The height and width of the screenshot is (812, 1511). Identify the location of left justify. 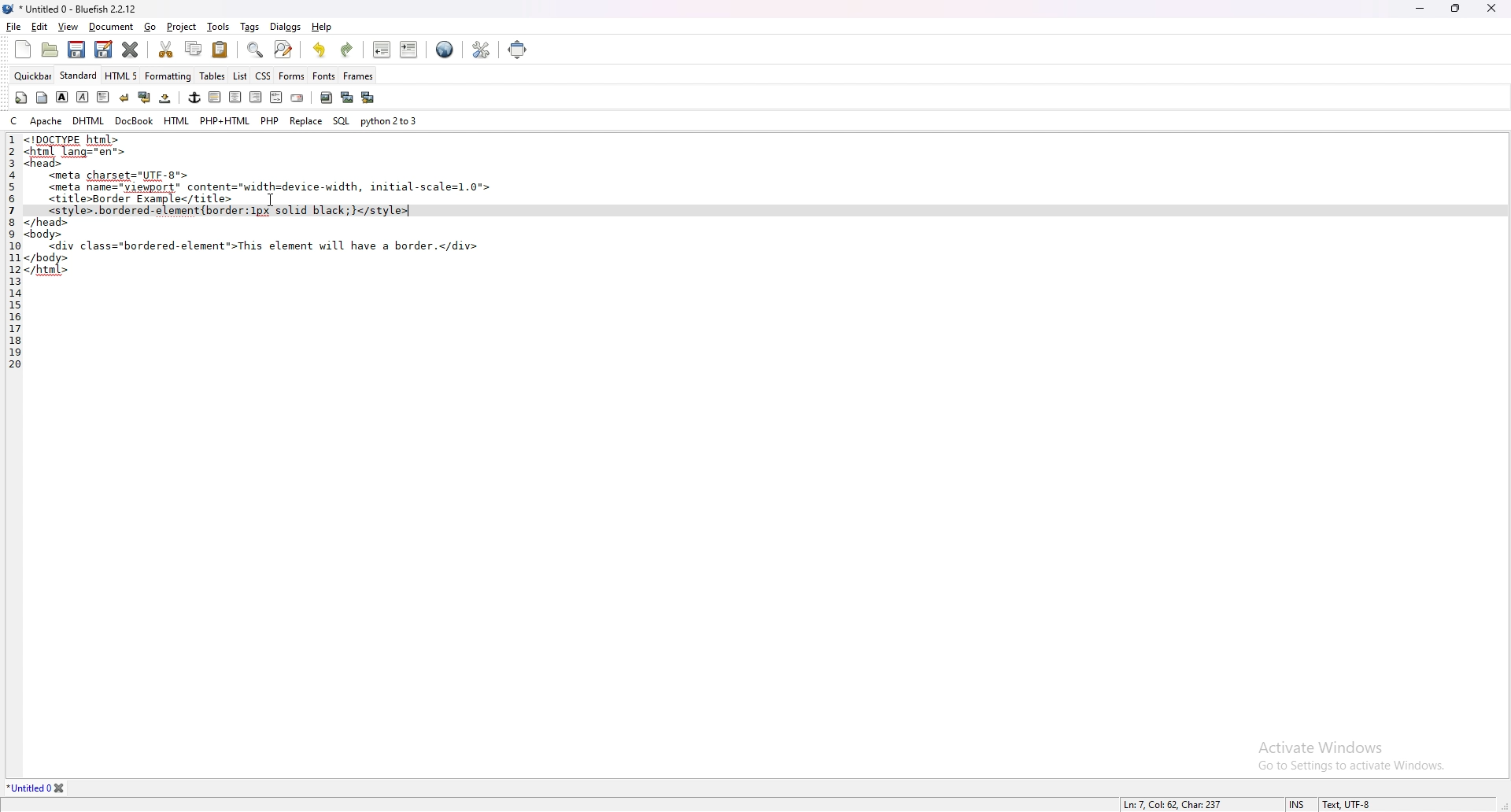
(216, 97).